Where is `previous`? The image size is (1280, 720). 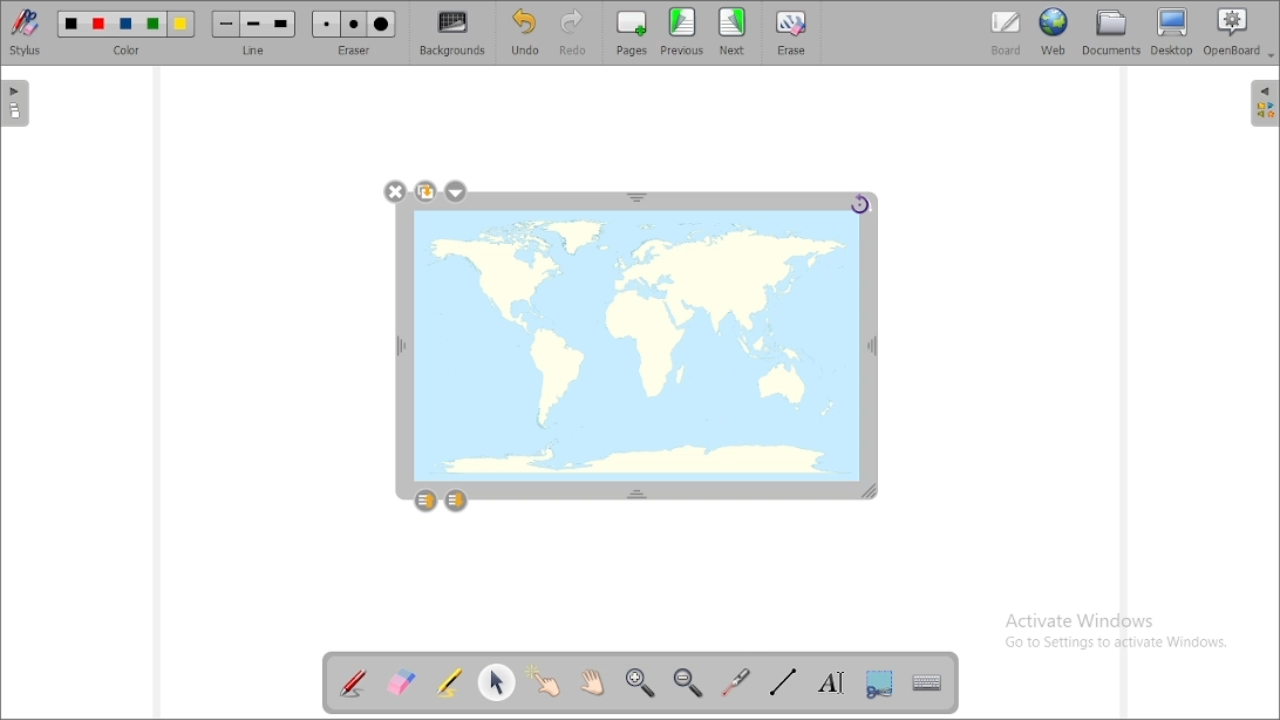 previous is located at coordinates (682, 31).